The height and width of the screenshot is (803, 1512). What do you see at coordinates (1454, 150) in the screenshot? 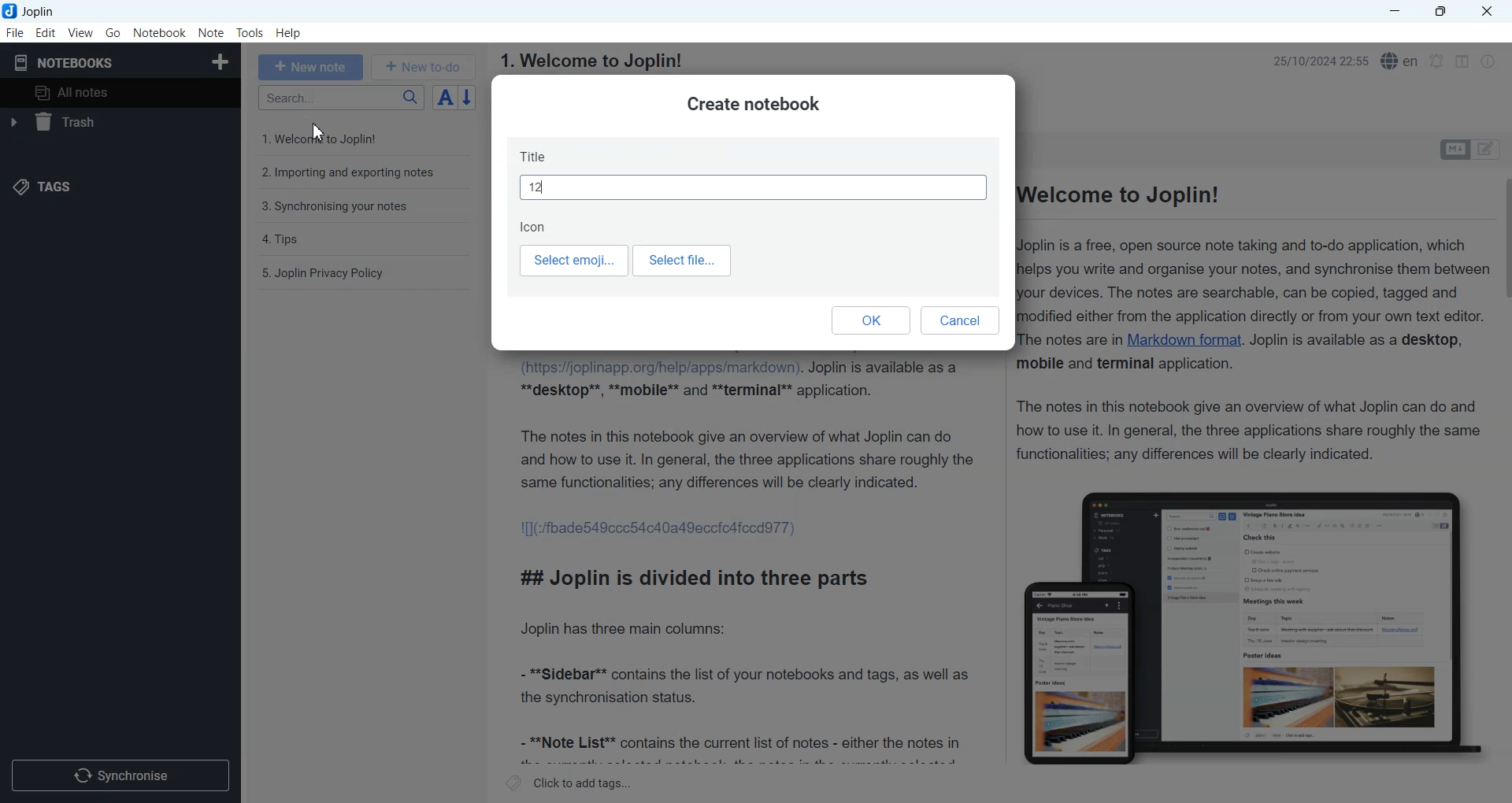
I see `Toggle editors` at bounding box center [1454, 150].